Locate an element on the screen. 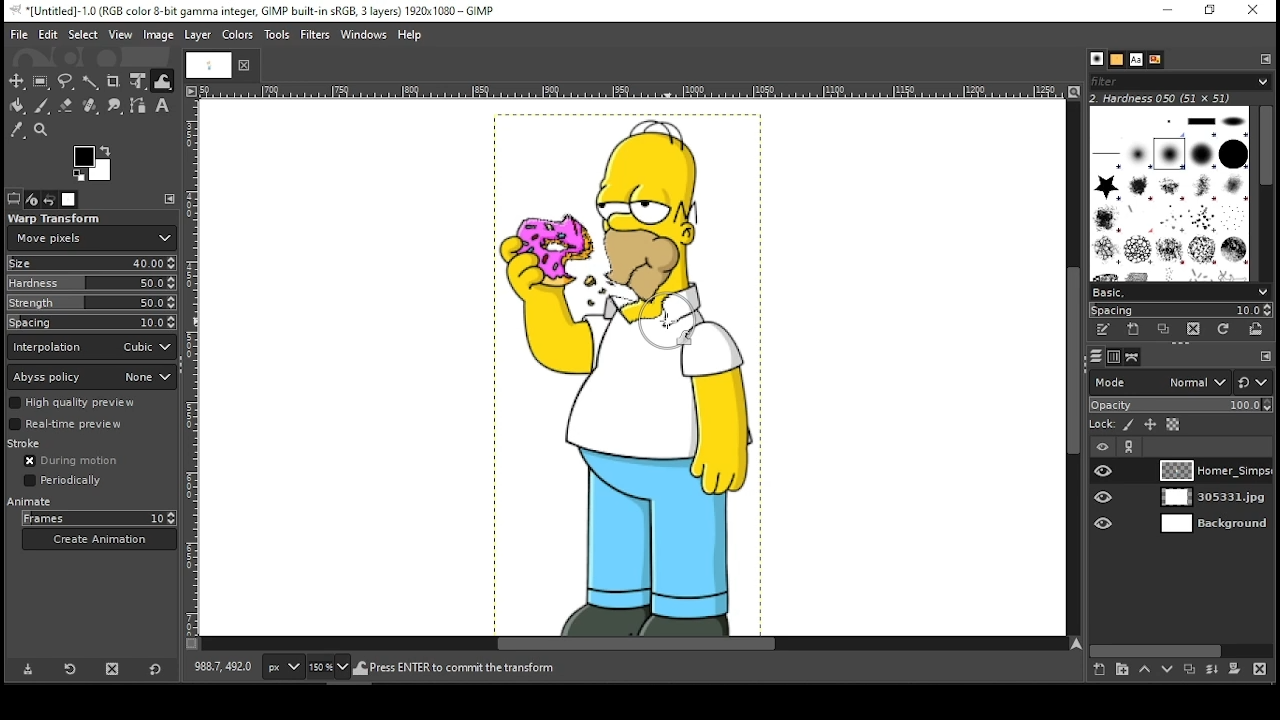 Image resolution: width=1280 pixels, height=720 pixels. rectangular select tool is located at coordinates (43, 80).